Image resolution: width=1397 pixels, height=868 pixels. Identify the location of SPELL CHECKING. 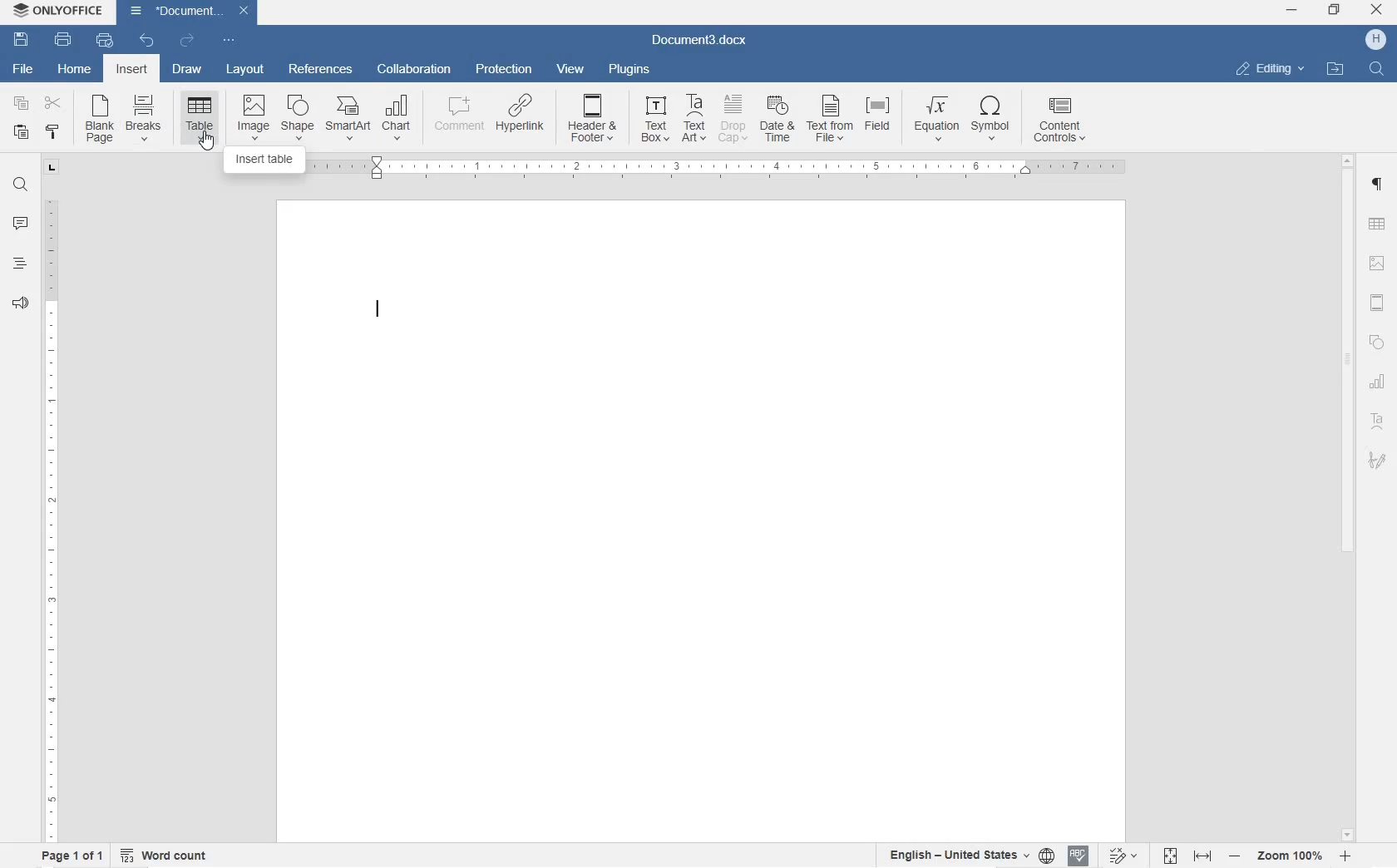
(1077, 856).